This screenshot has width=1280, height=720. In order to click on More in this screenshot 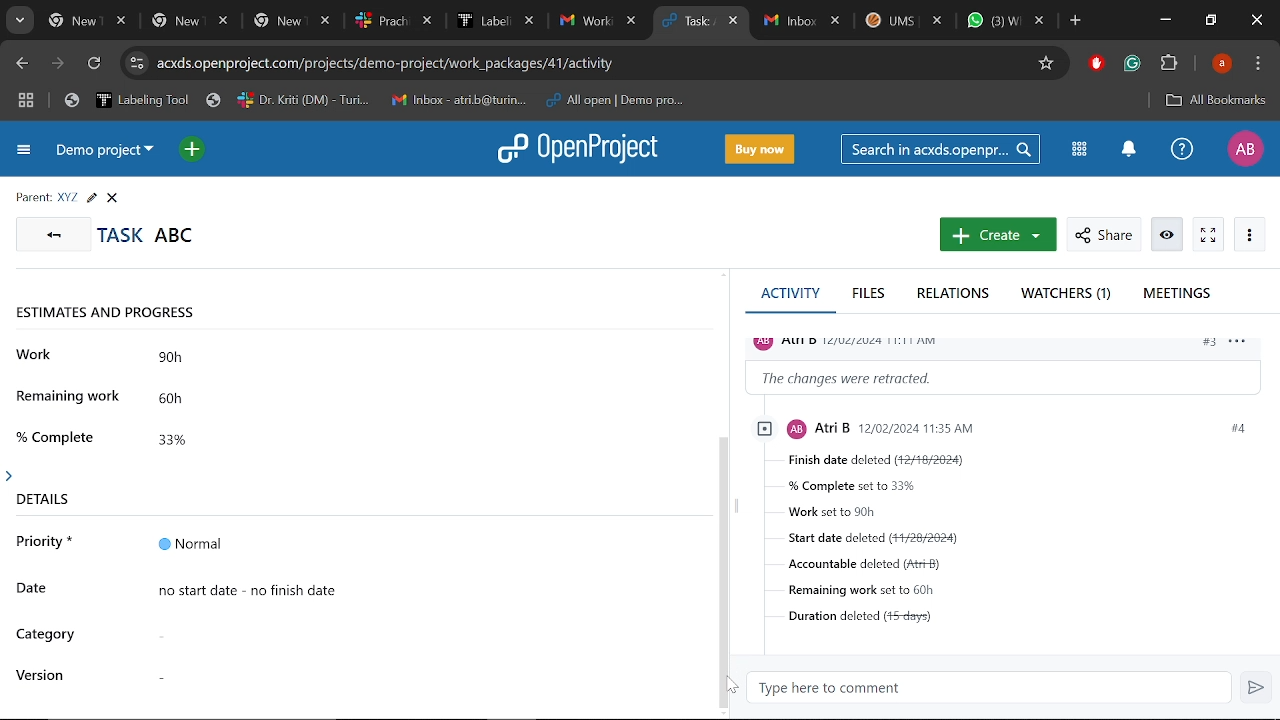, I will do `click(1248, 233)`.